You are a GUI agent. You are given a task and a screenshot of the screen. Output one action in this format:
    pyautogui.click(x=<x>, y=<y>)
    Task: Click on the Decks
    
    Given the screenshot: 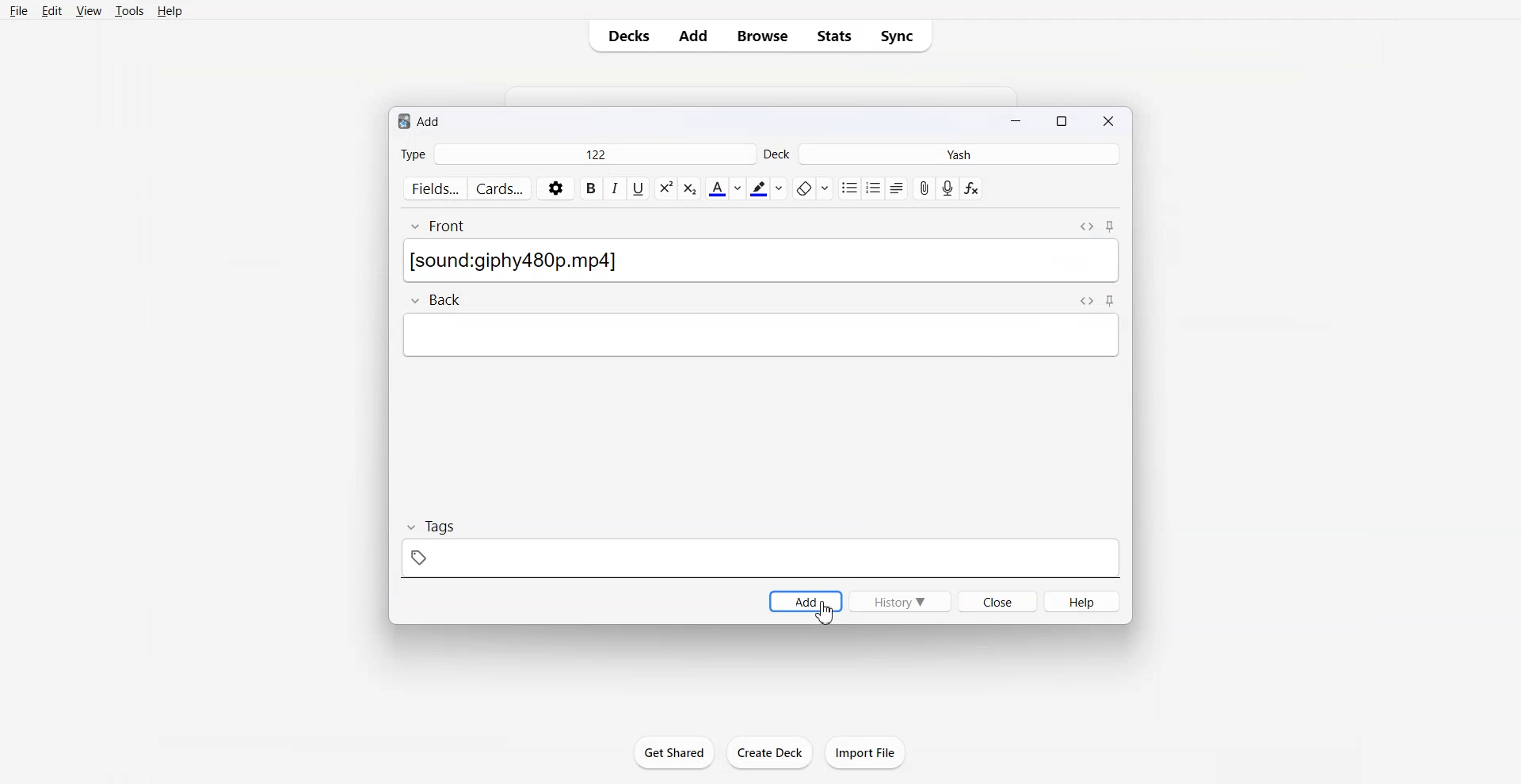 What is the action you would take?
    pyautogui.click(x=626, y=36)
    